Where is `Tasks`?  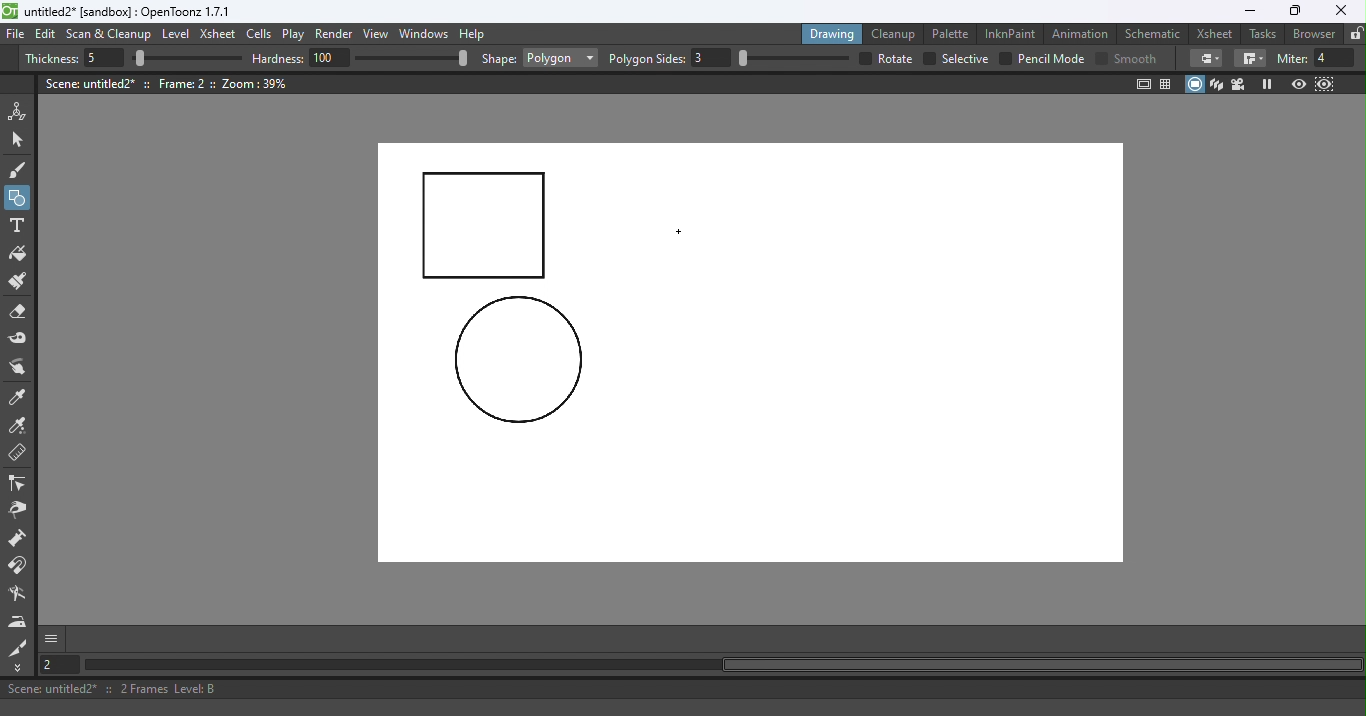 Tasks is located at coordinates (1264, 34).